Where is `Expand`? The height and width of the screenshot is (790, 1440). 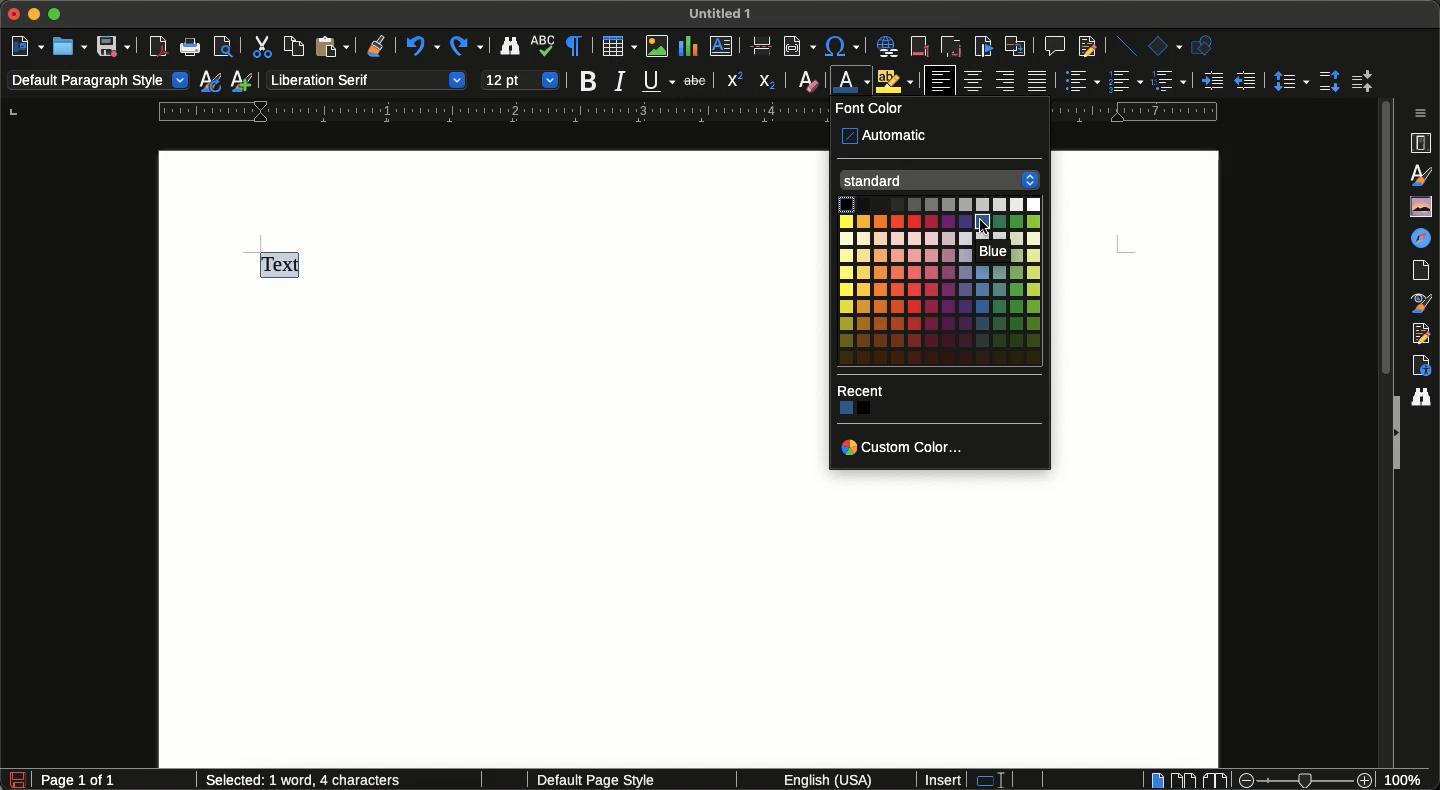 Expand is located at coordinates (1394, 434).